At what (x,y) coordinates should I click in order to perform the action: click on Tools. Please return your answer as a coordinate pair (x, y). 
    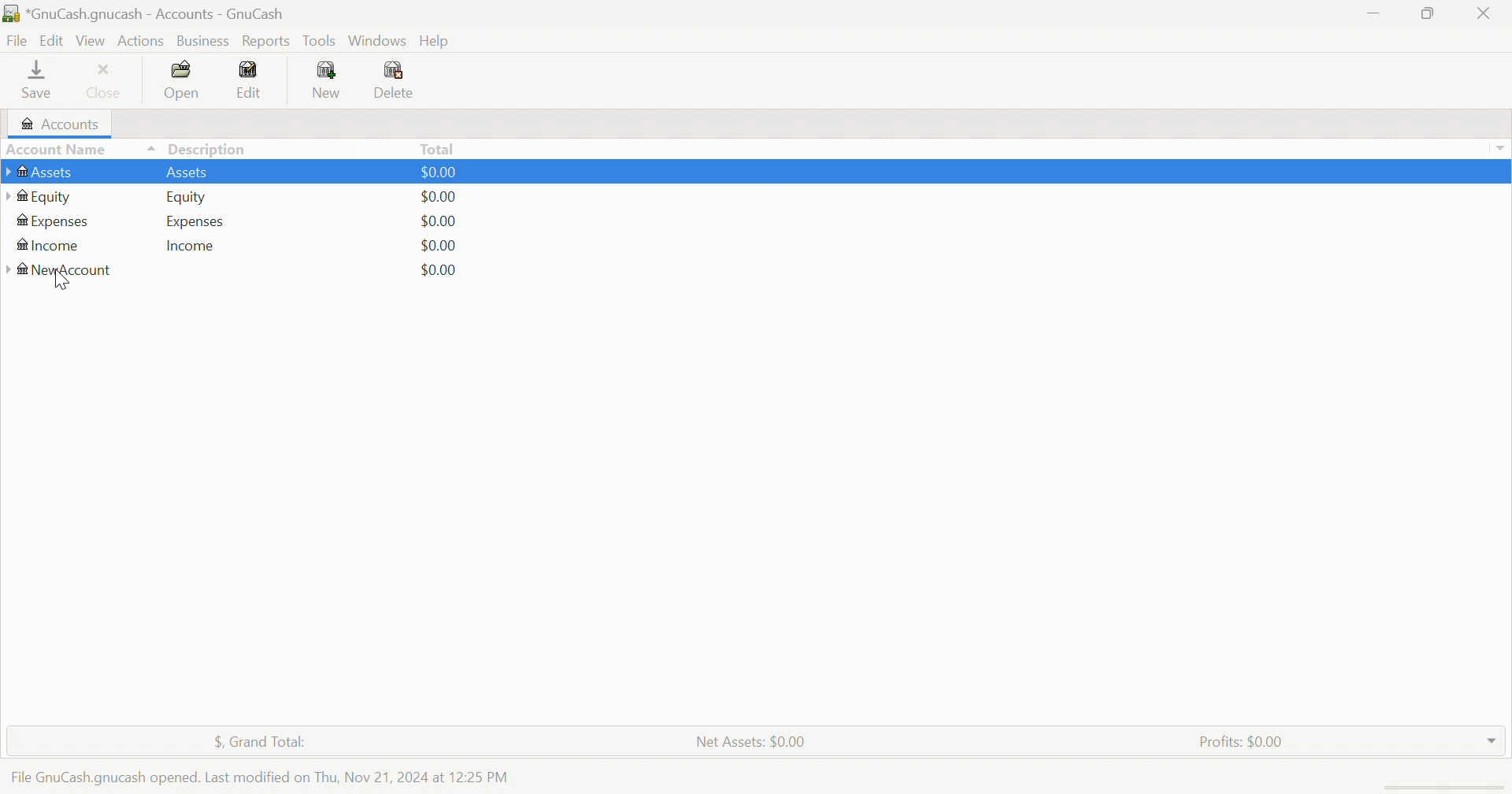
    Looking at the image, I should click on (321, 40).